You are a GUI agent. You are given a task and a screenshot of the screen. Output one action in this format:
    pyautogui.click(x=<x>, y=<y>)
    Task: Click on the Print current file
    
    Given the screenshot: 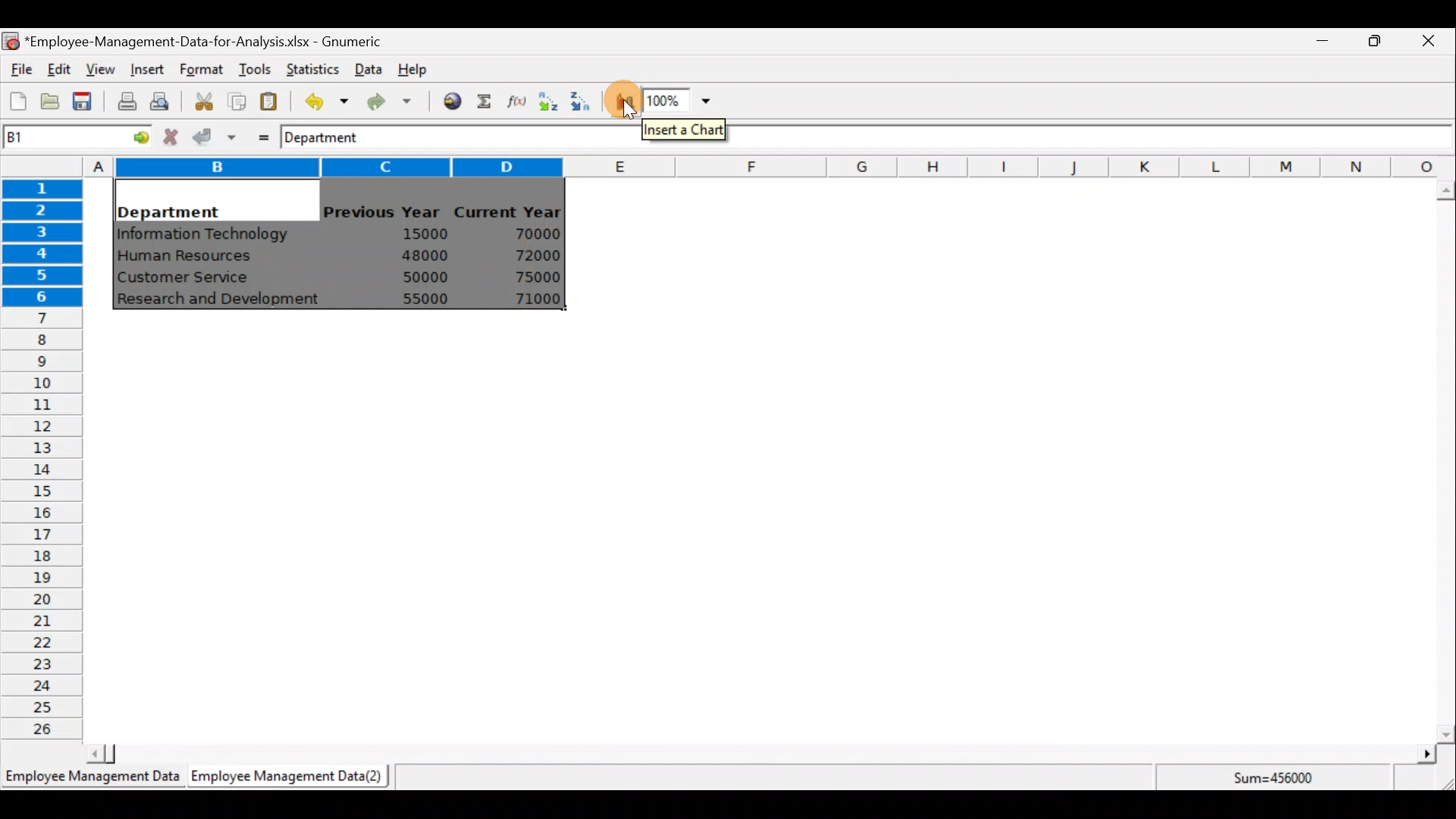 What is the action you would take?
    pyautogui.click(x=127, y=101)
    